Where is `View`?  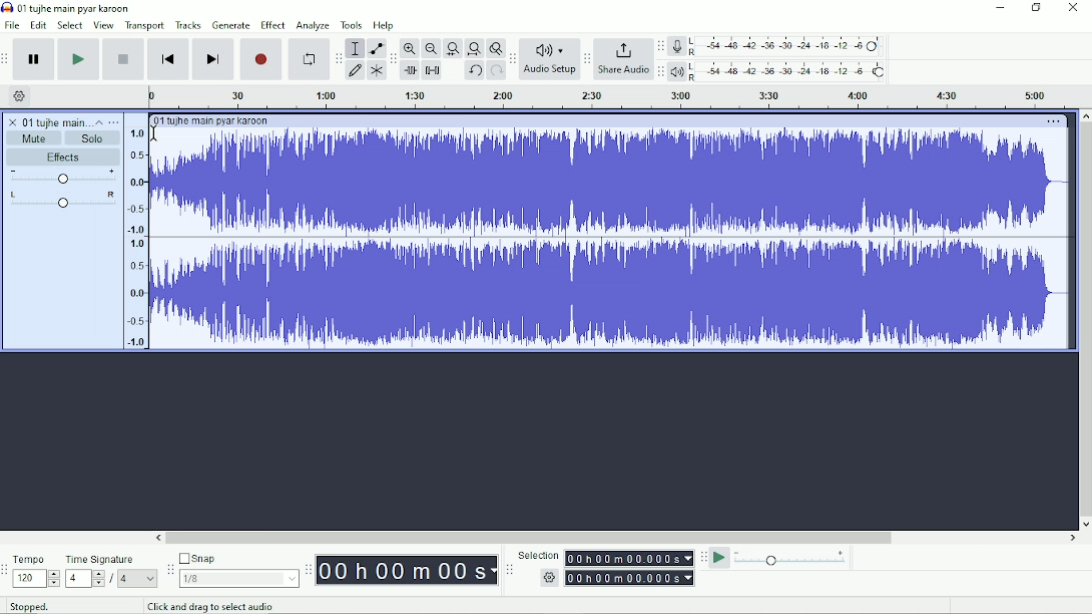
View is located at coordinates (104, 25).